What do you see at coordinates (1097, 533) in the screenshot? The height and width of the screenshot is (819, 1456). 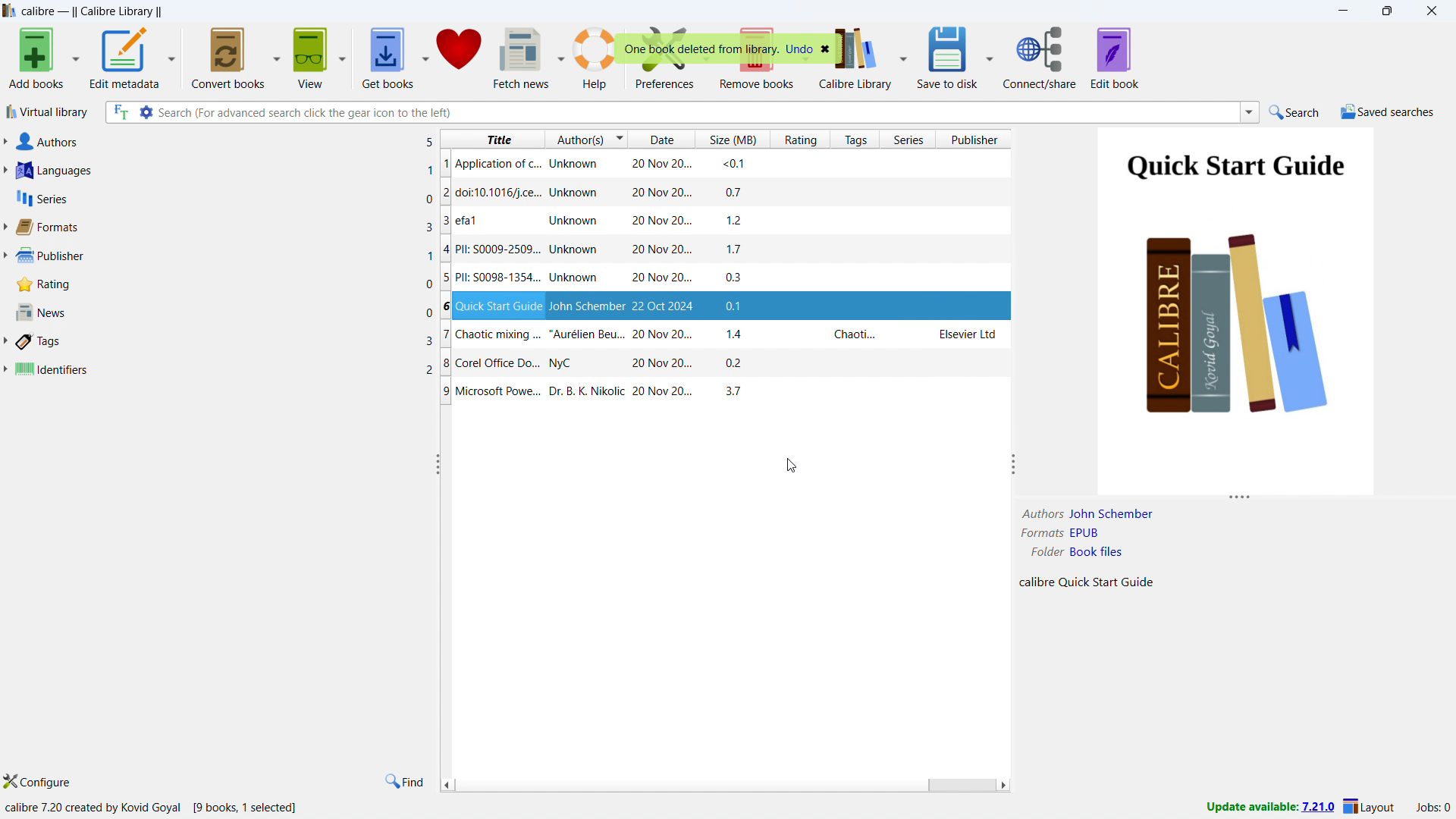 I see `EPUB` at bounding box center [1097, 533].